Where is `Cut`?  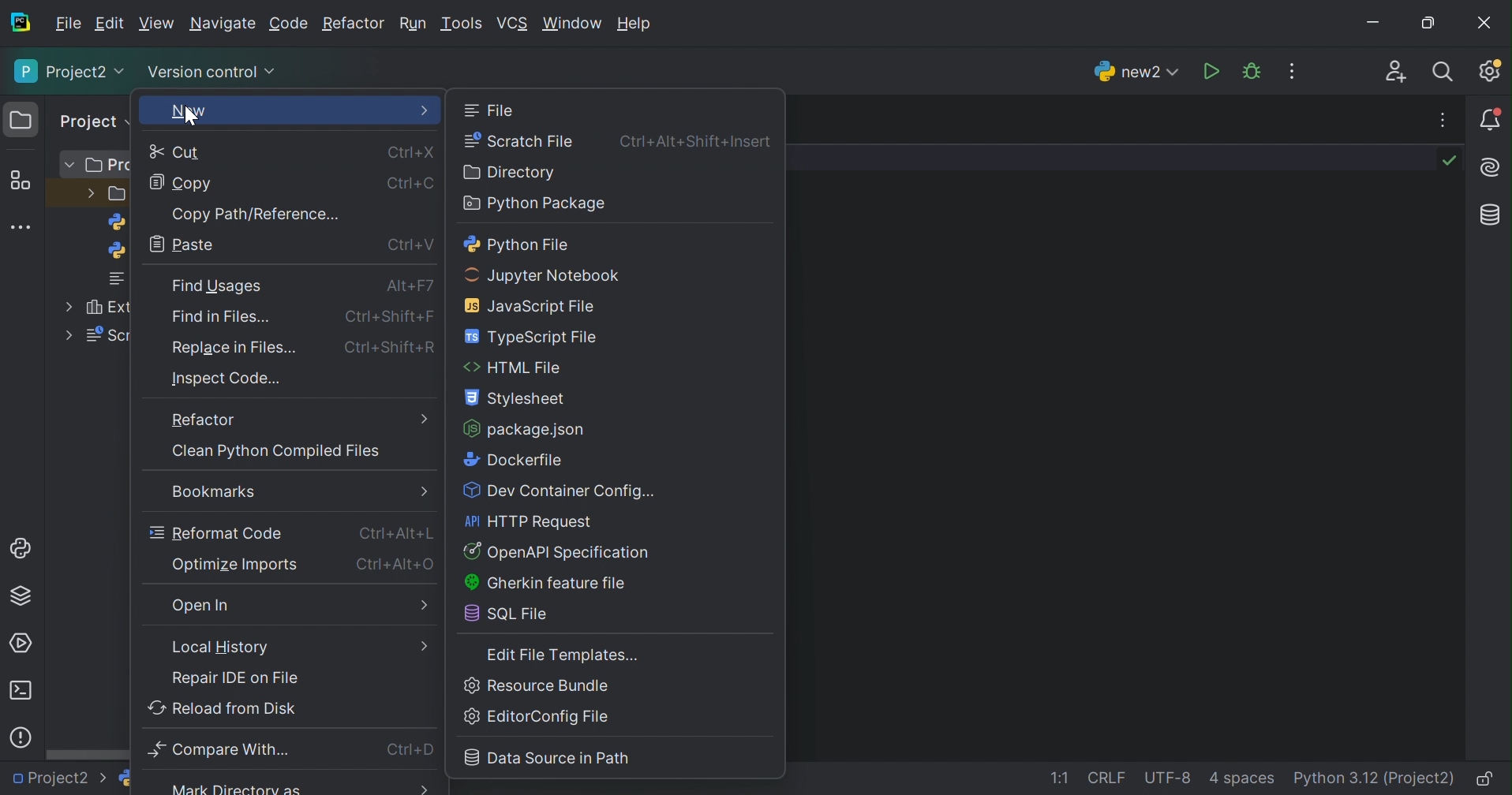 Cut is located at coordinates (174, 153).